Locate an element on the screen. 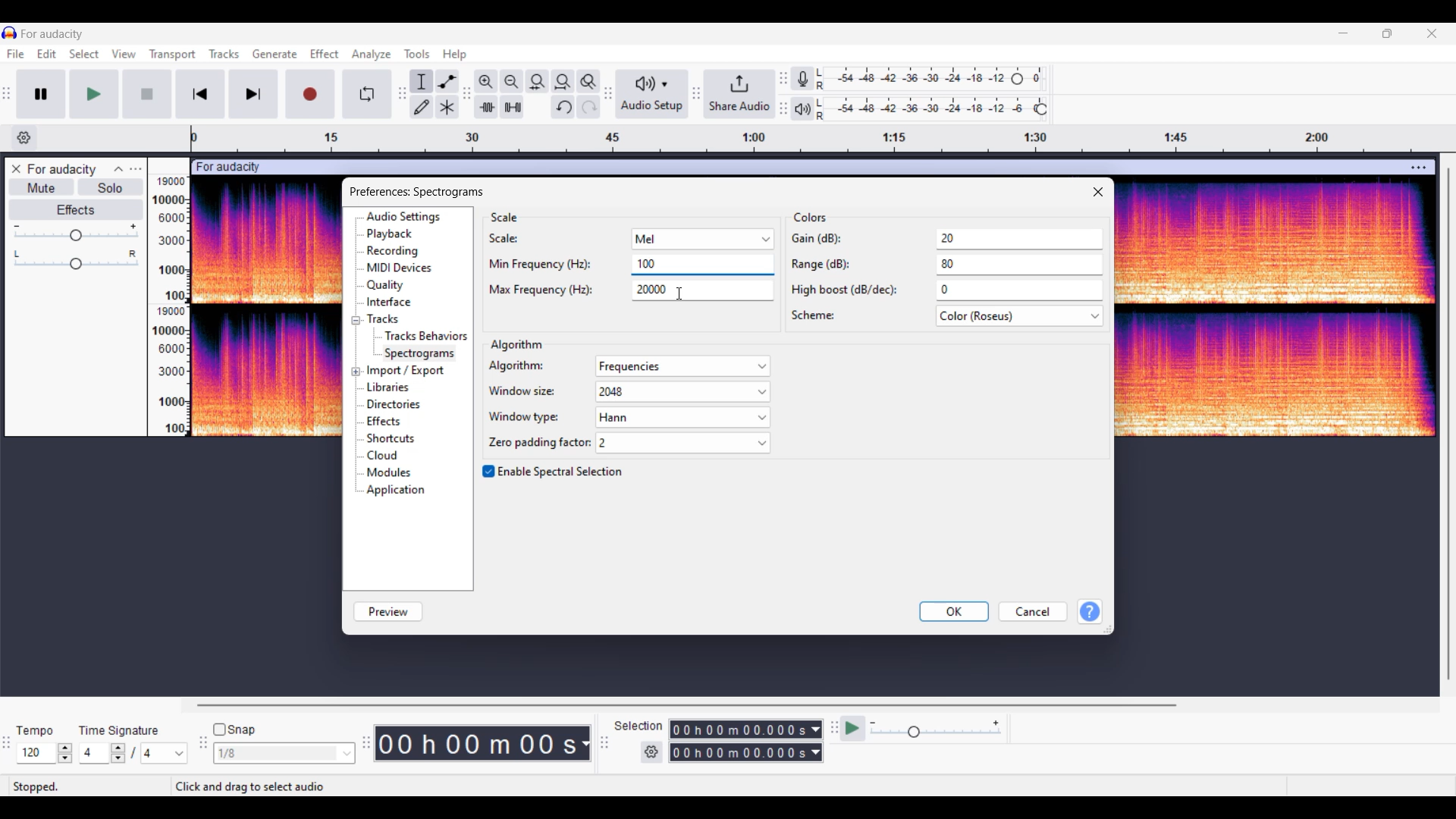 The image size is (1456, 819). Window and setting title  is located at coordinates (416, 190).